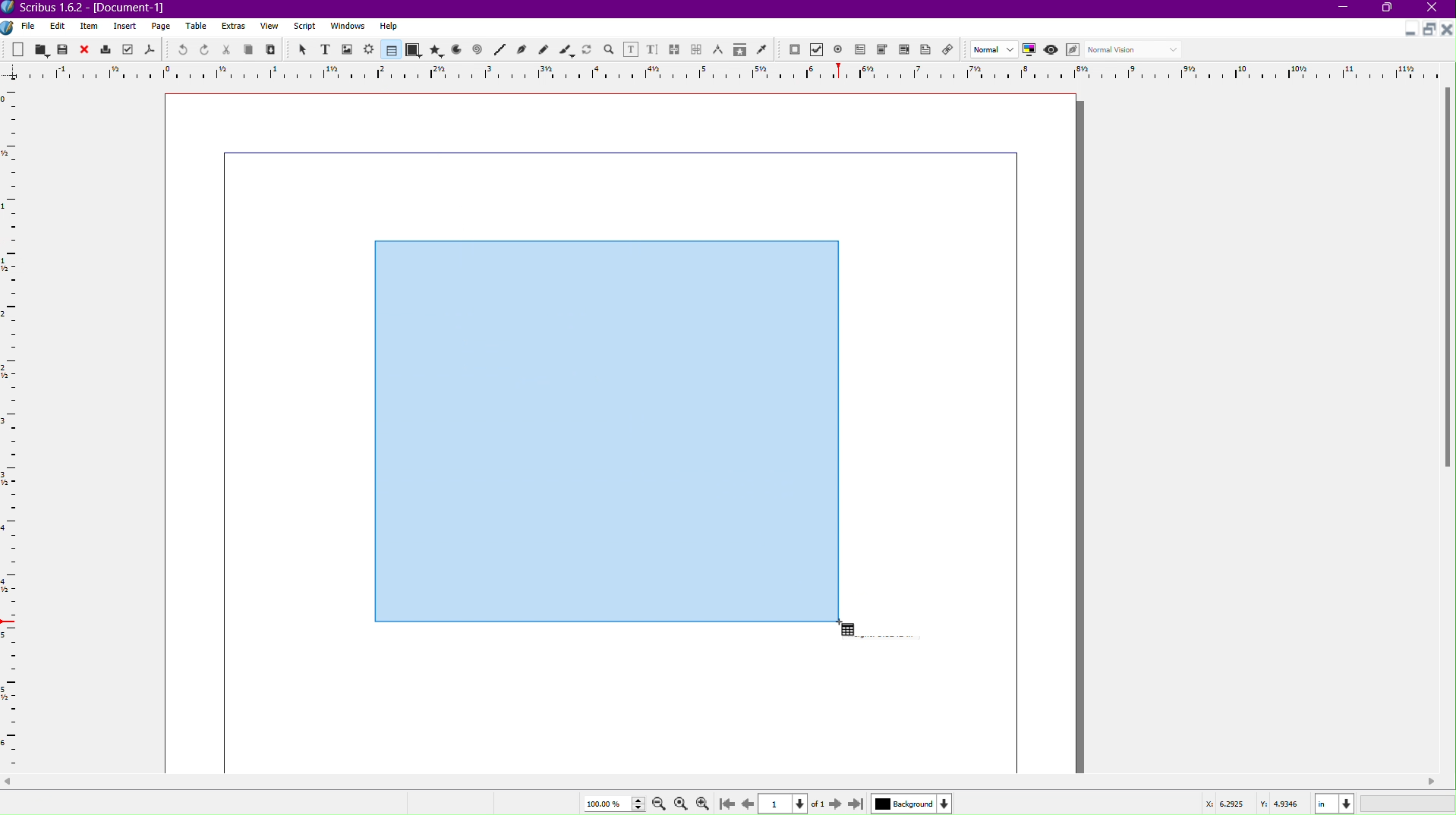  What do you see at coordinates (92, 8) in the screenshot?
I see `Window Name` at bounding box center [92, 8].